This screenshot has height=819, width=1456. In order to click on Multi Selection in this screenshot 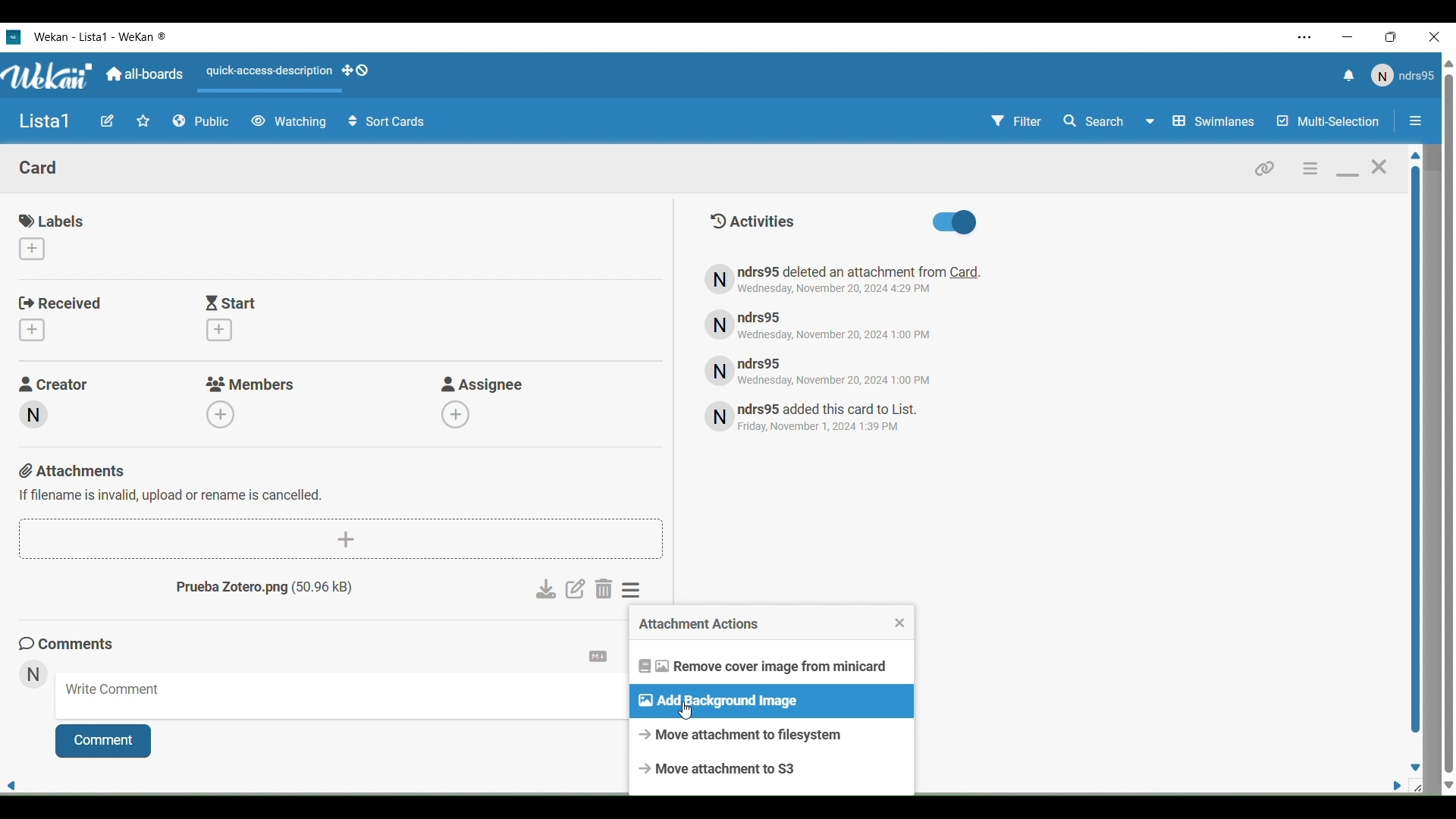, I will do `click(1328, 121)`.